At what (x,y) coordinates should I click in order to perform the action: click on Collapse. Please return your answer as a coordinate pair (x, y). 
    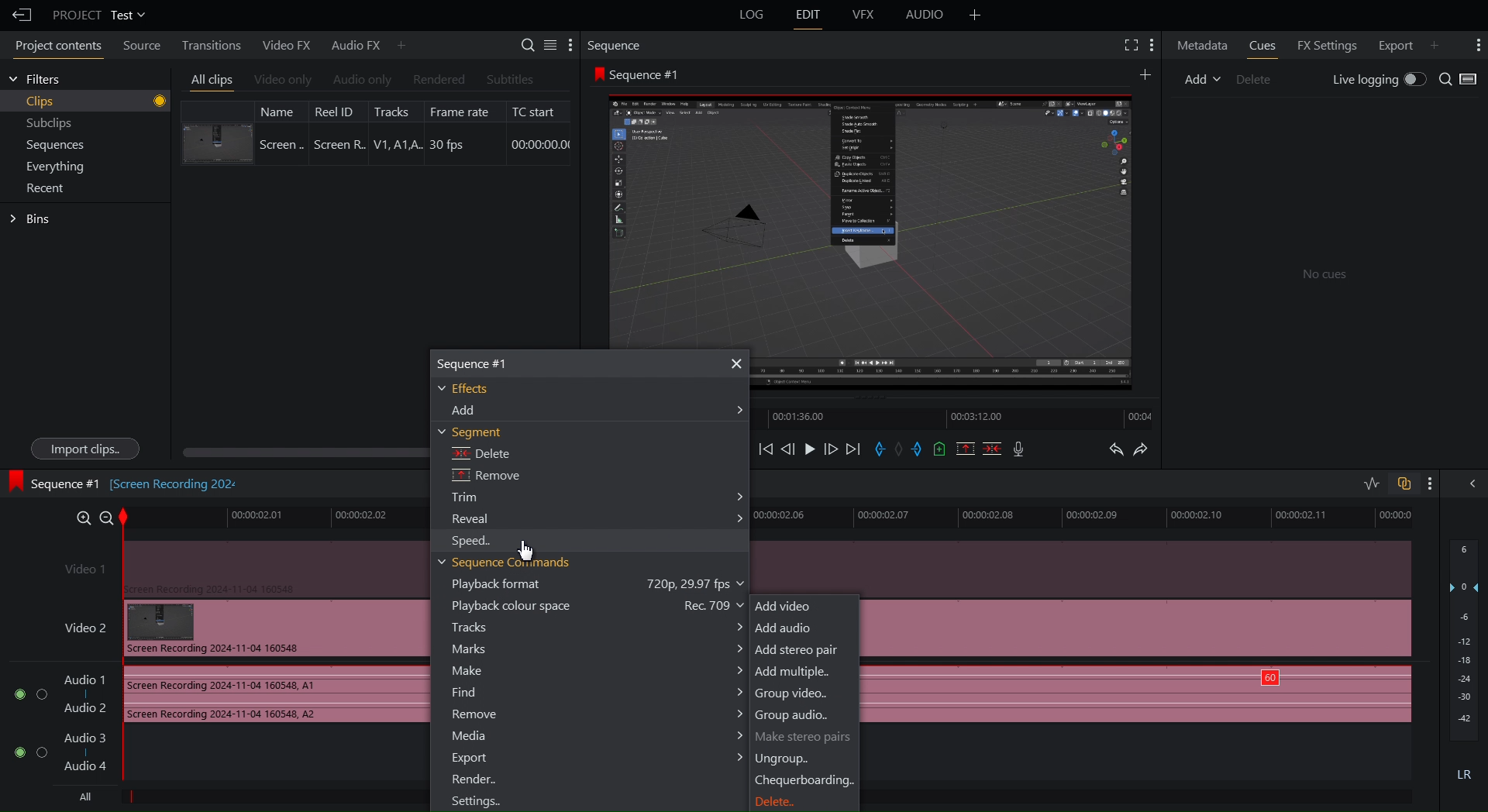
    Looking at the image, I should click on (1469, 483).